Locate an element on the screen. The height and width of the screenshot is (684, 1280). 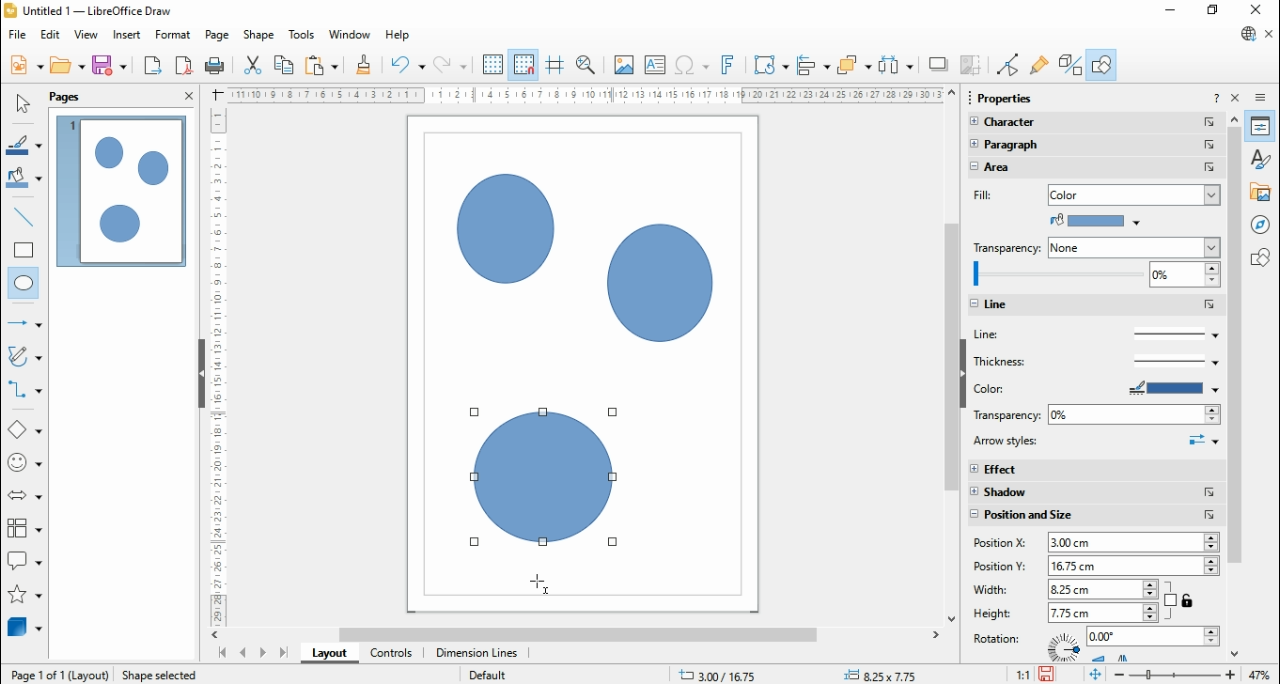
select is located at coordinates (22, 103).